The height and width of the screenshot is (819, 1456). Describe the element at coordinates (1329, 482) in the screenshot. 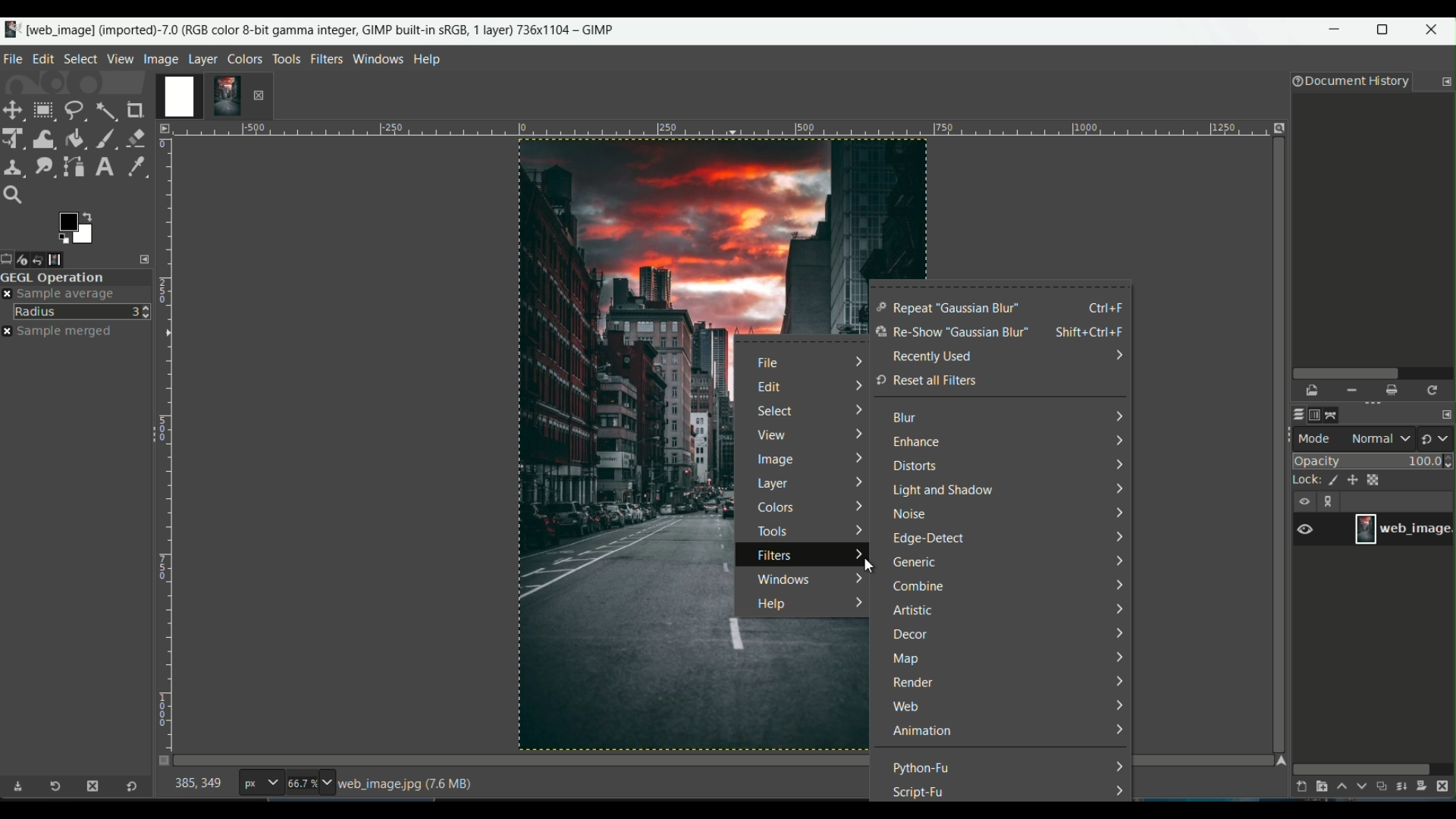

I see `lock pixels` at that location.